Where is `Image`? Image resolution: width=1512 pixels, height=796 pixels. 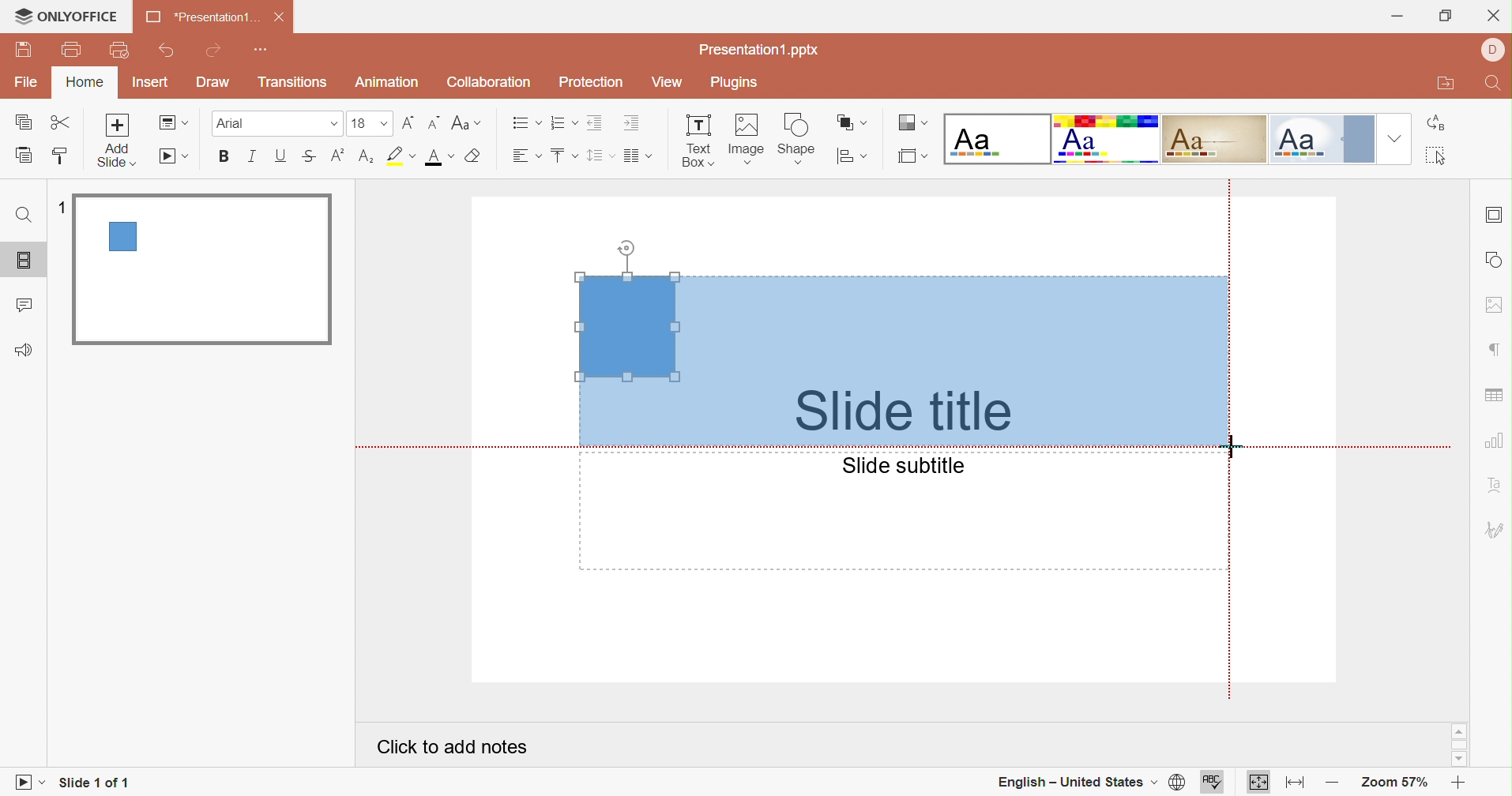 Image is located at coordinates (746, 141).